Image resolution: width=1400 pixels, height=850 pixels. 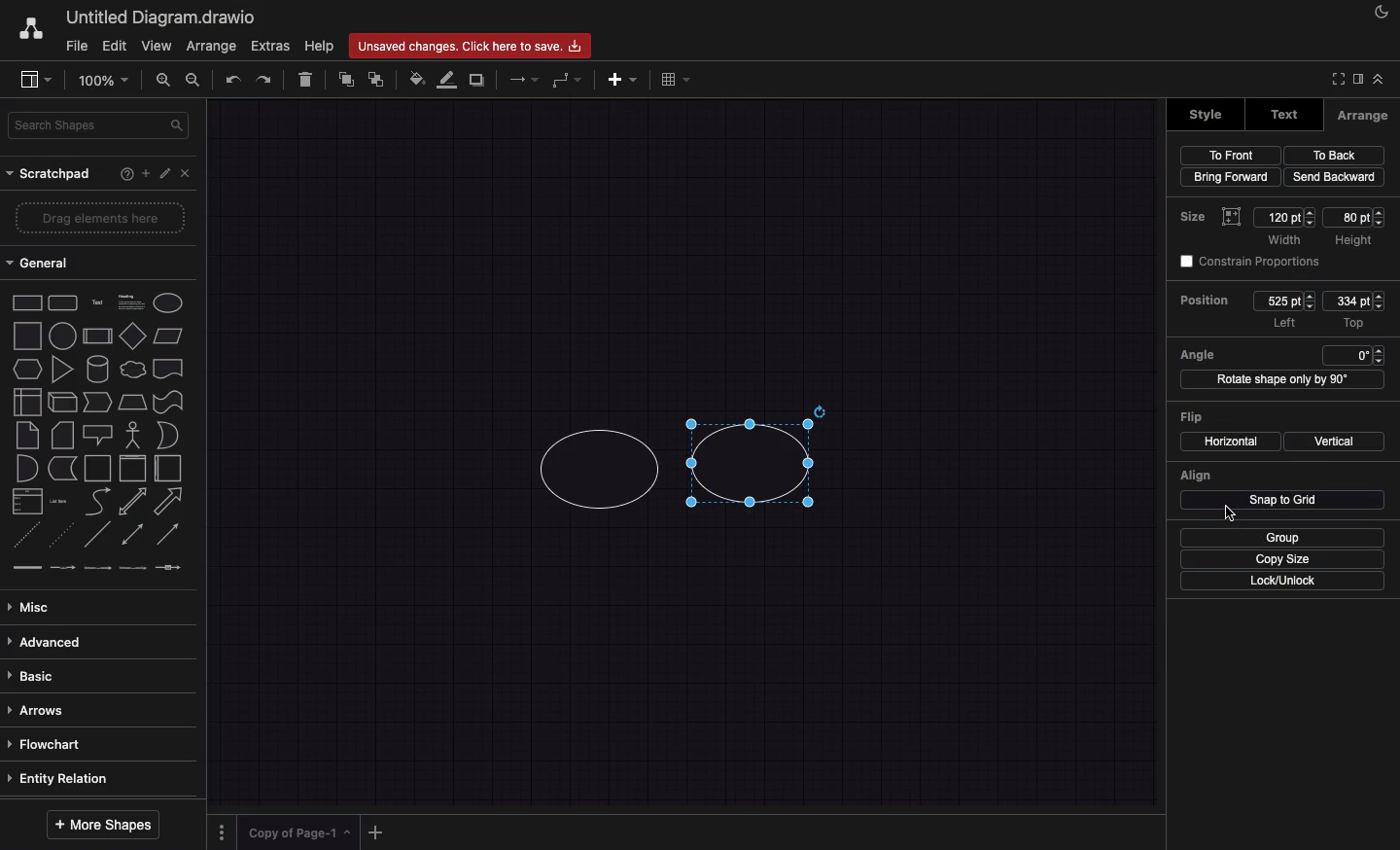 I want to click on bring forward, so click(x=1231, y=176).